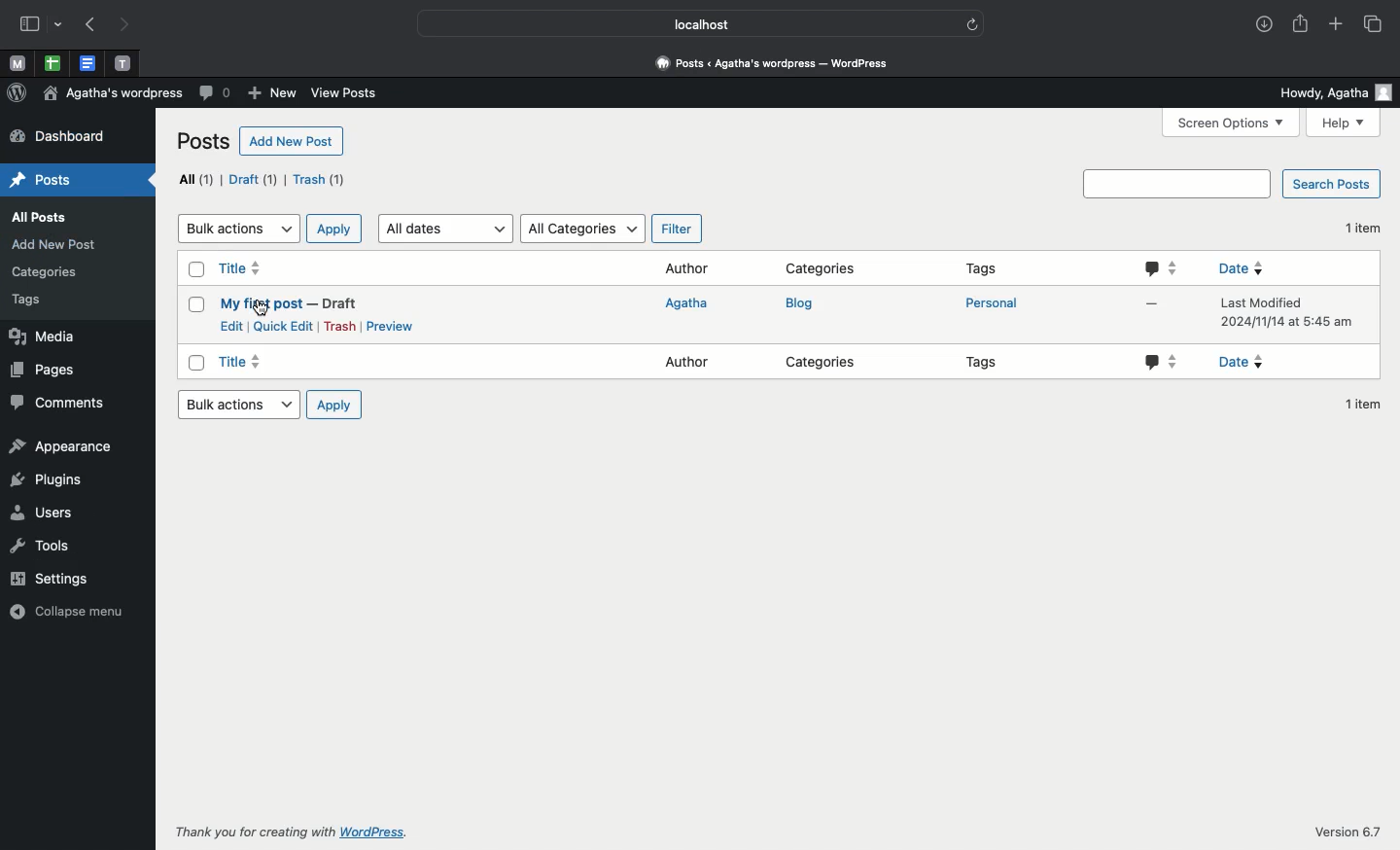 This screenshot has height=850, width=1400. I want to click on Preview, so click(397, 327).